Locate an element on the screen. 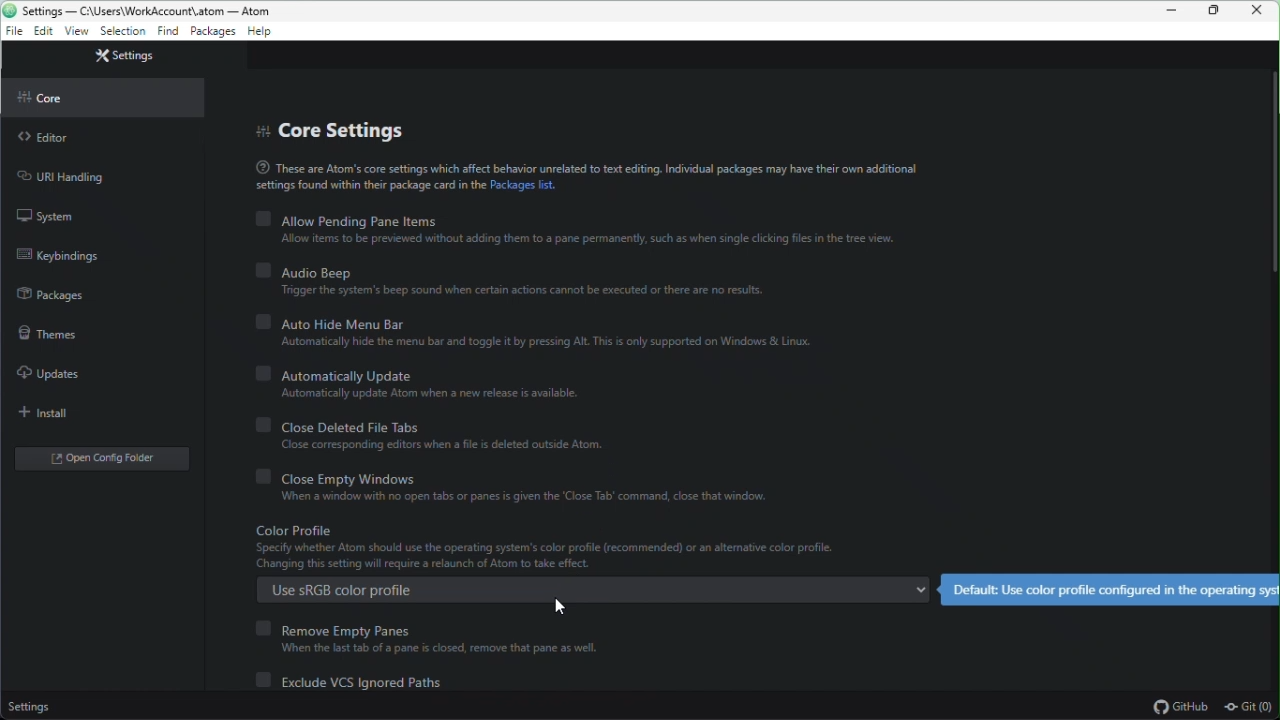 This screenshot has height=720, width=1280. Settings is located at coordinates (30, 709).